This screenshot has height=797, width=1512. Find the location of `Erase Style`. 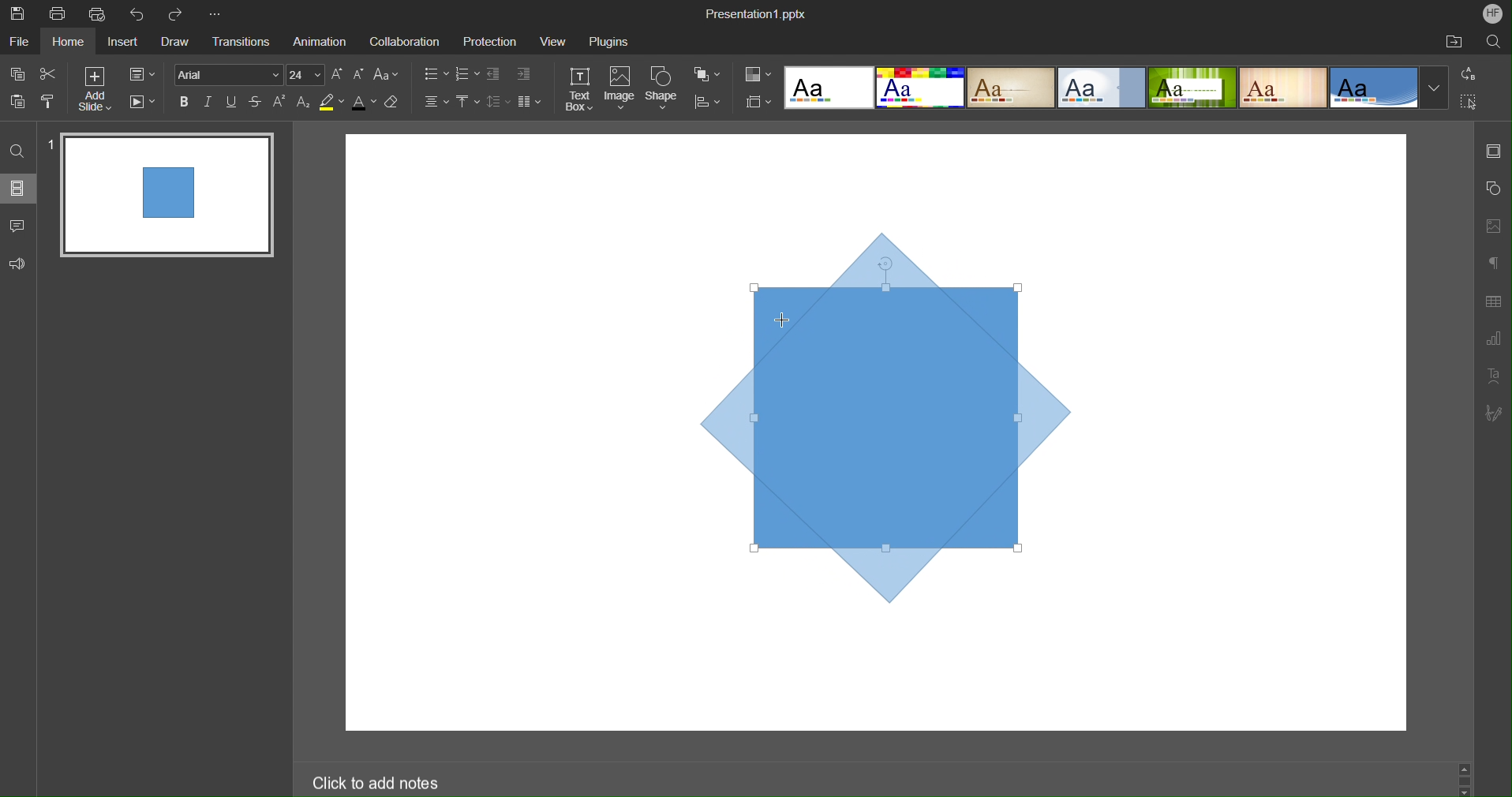

Erase Style is located at coordinates (394, 103).